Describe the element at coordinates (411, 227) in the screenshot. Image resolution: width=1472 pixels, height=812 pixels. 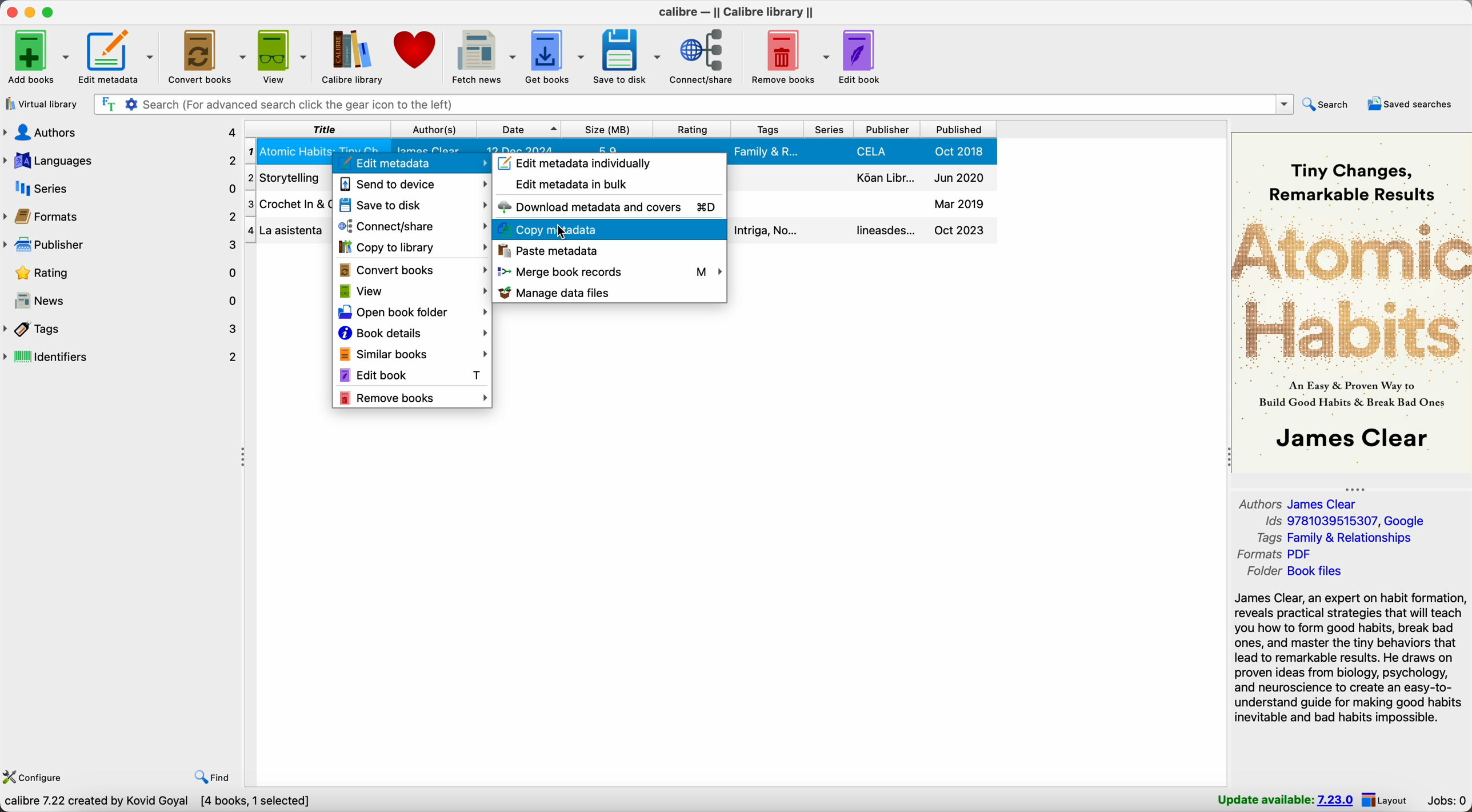
I see `connect/share` at that location.